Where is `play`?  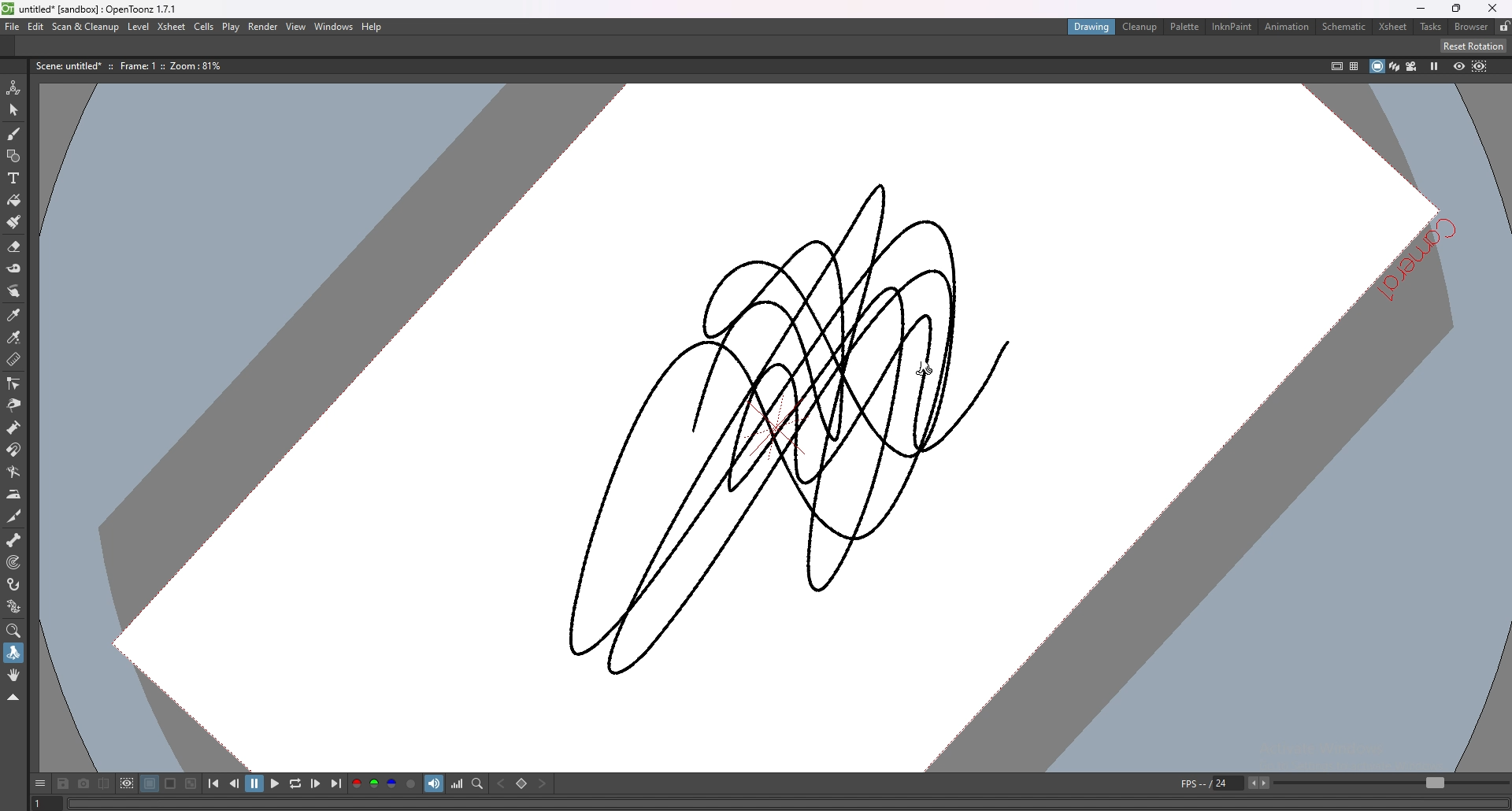 play is located at coordinates (232, 26).